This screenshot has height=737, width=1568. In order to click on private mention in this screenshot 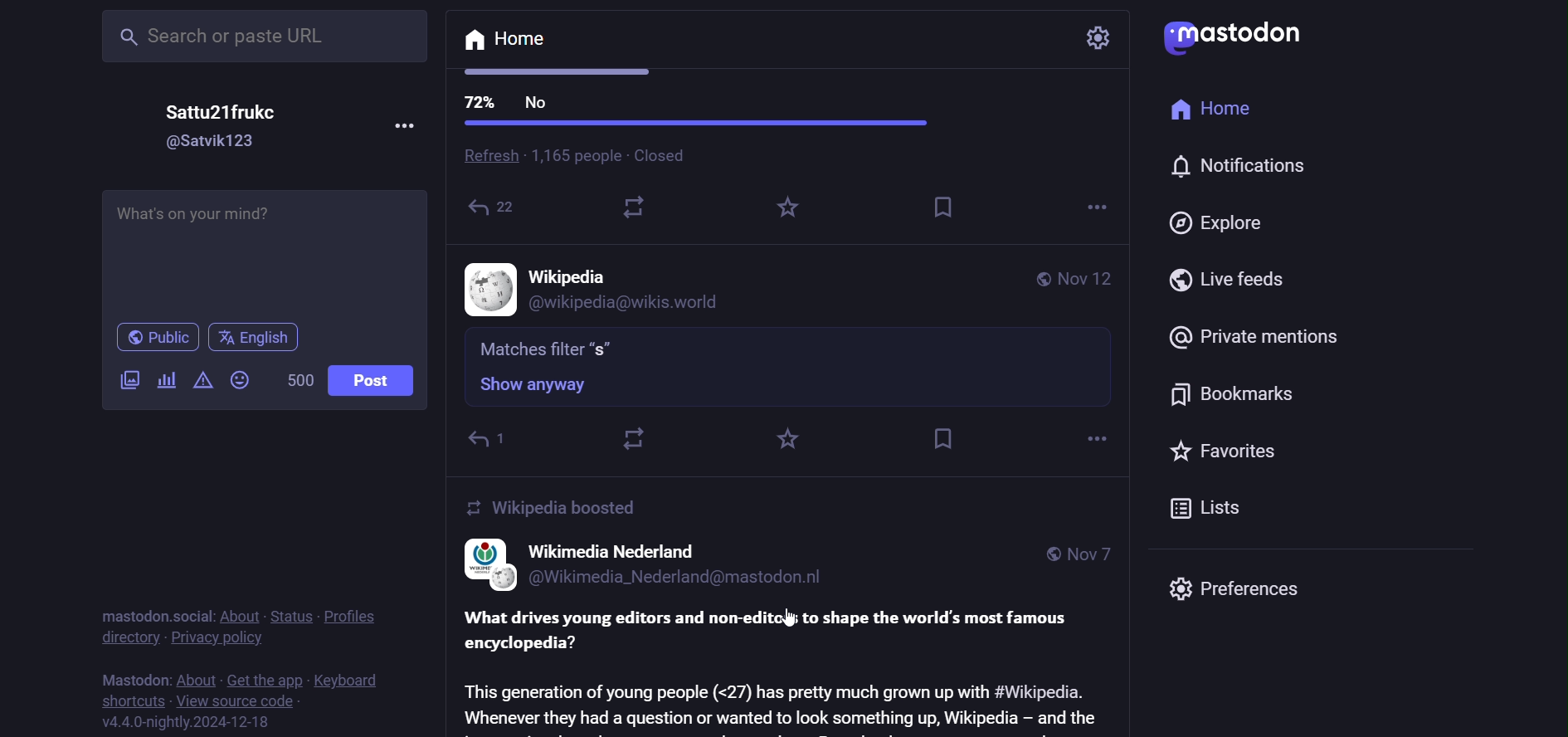, I will do `click(1248, 334)`.